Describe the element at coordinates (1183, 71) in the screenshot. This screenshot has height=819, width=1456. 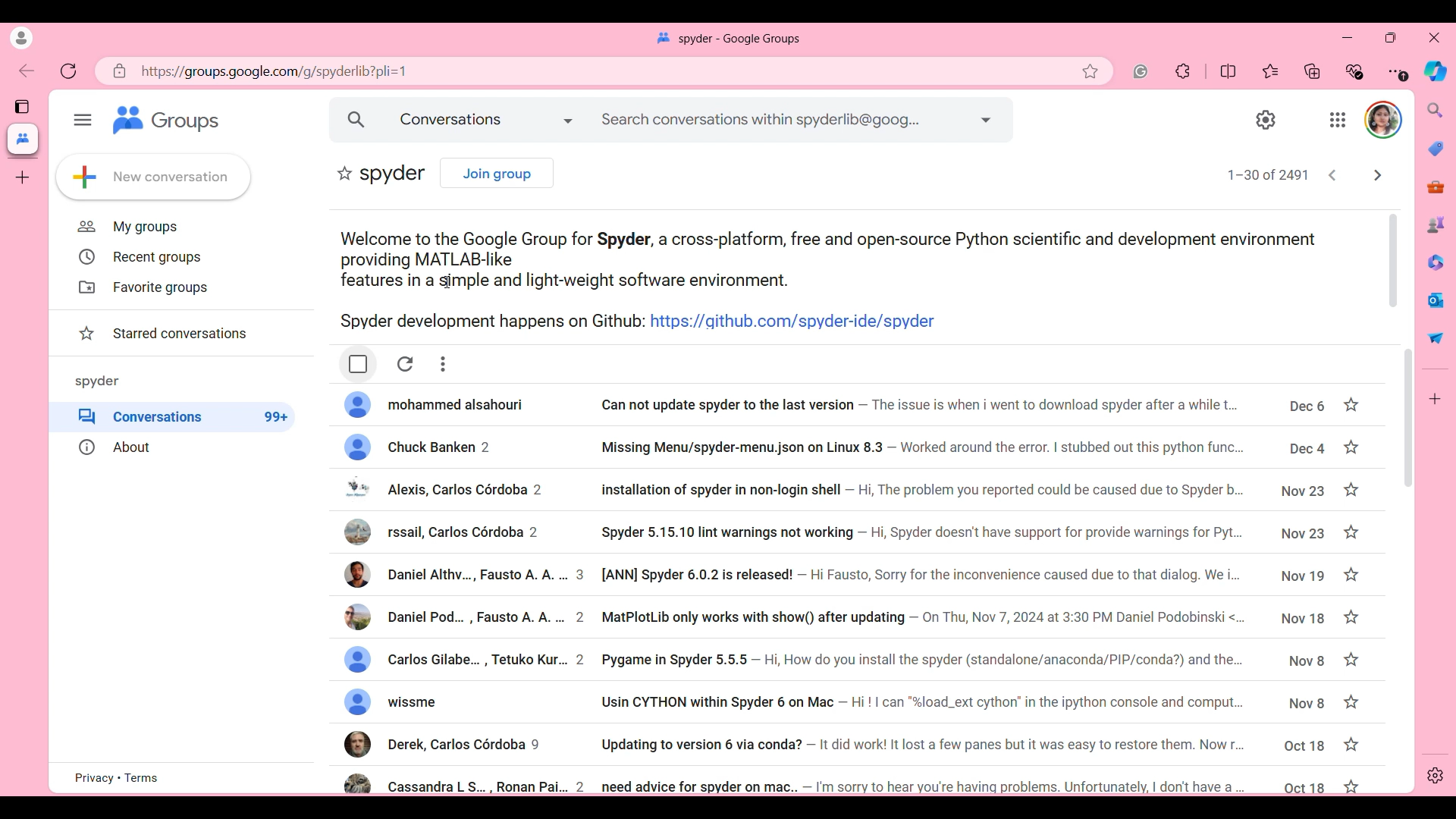
I see `Extensions` at that location.